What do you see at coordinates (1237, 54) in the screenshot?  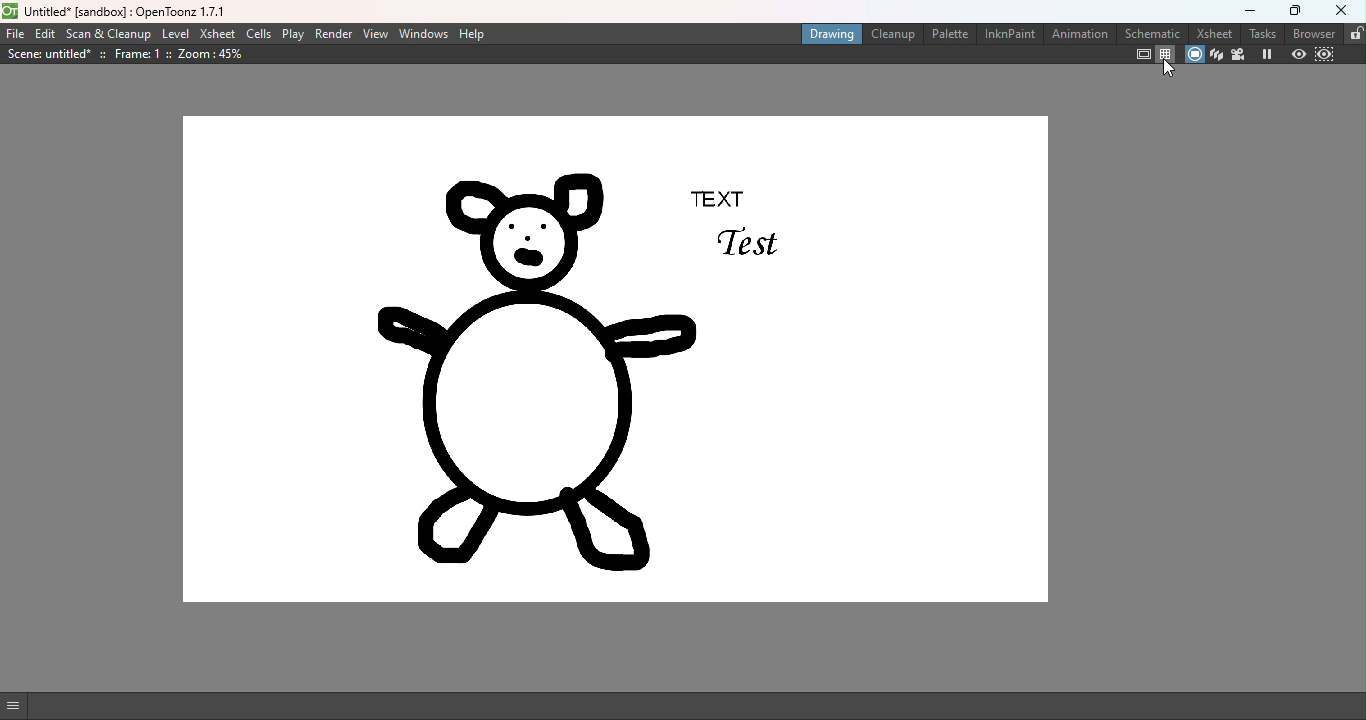 I see `Camera view` at bounding box center [1237, 54].